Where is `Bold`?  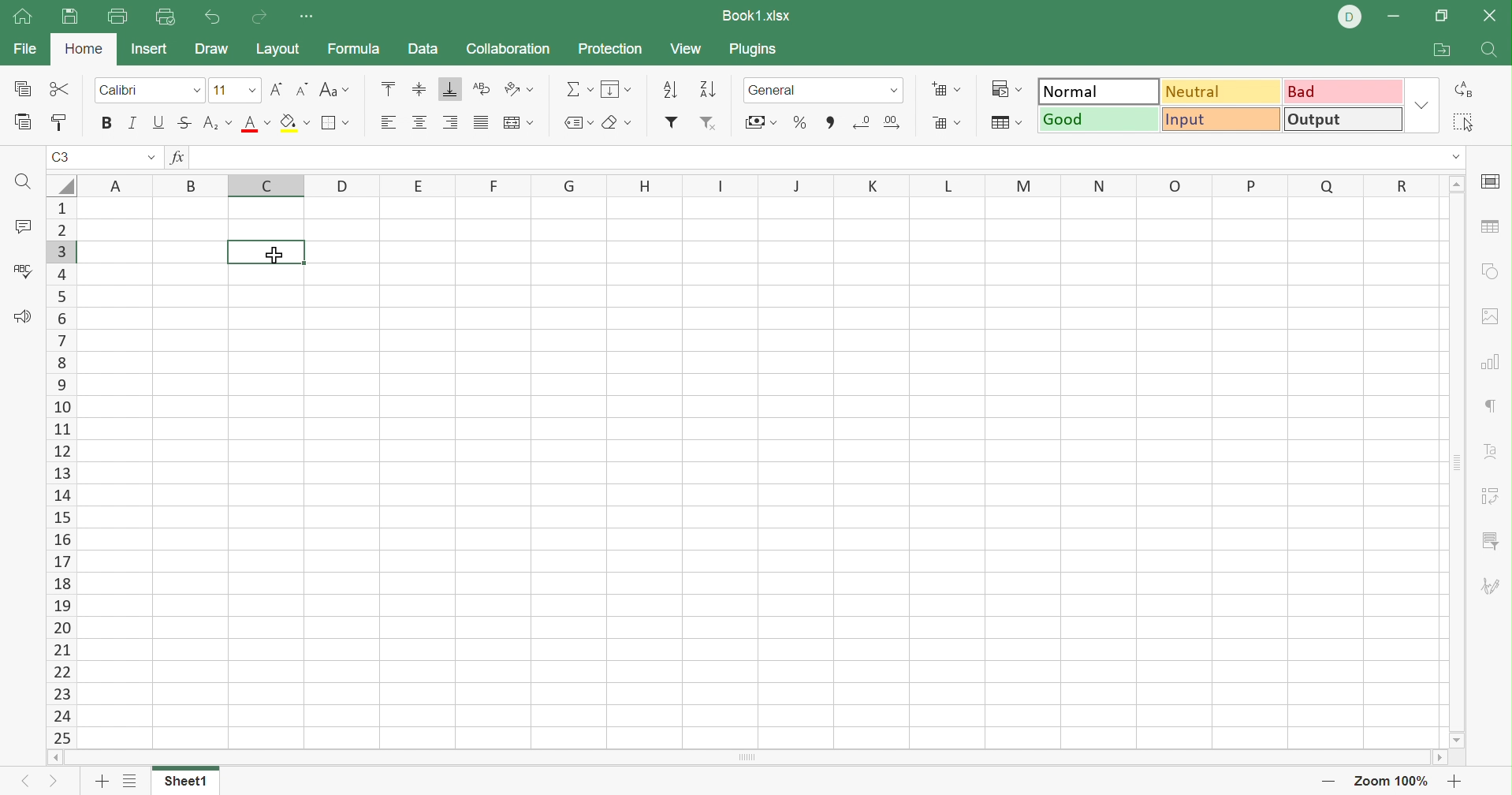 Bold is located at coordinates (105, 124).